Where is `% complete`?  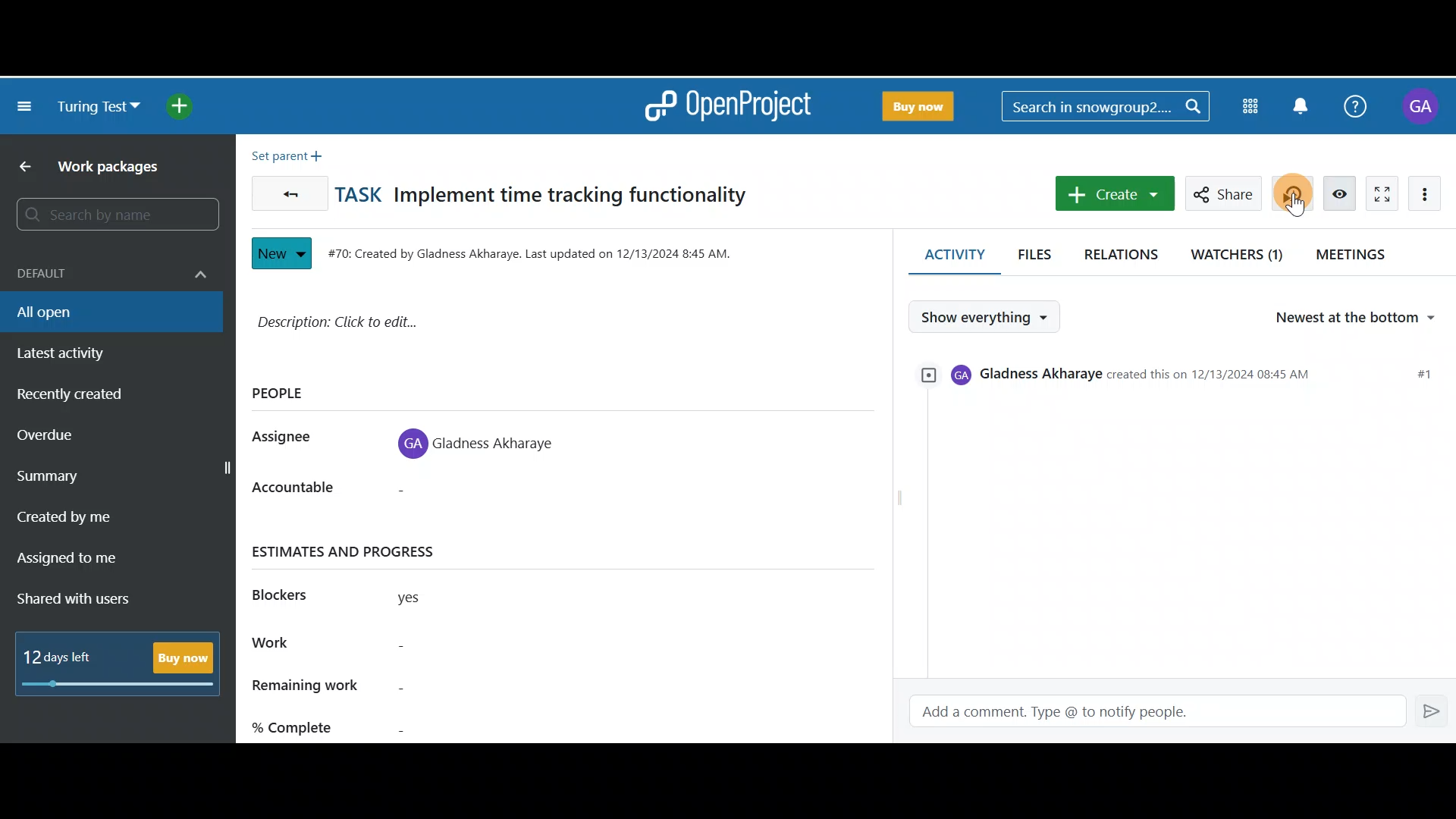 % complete is located at coordinates (404, 724).